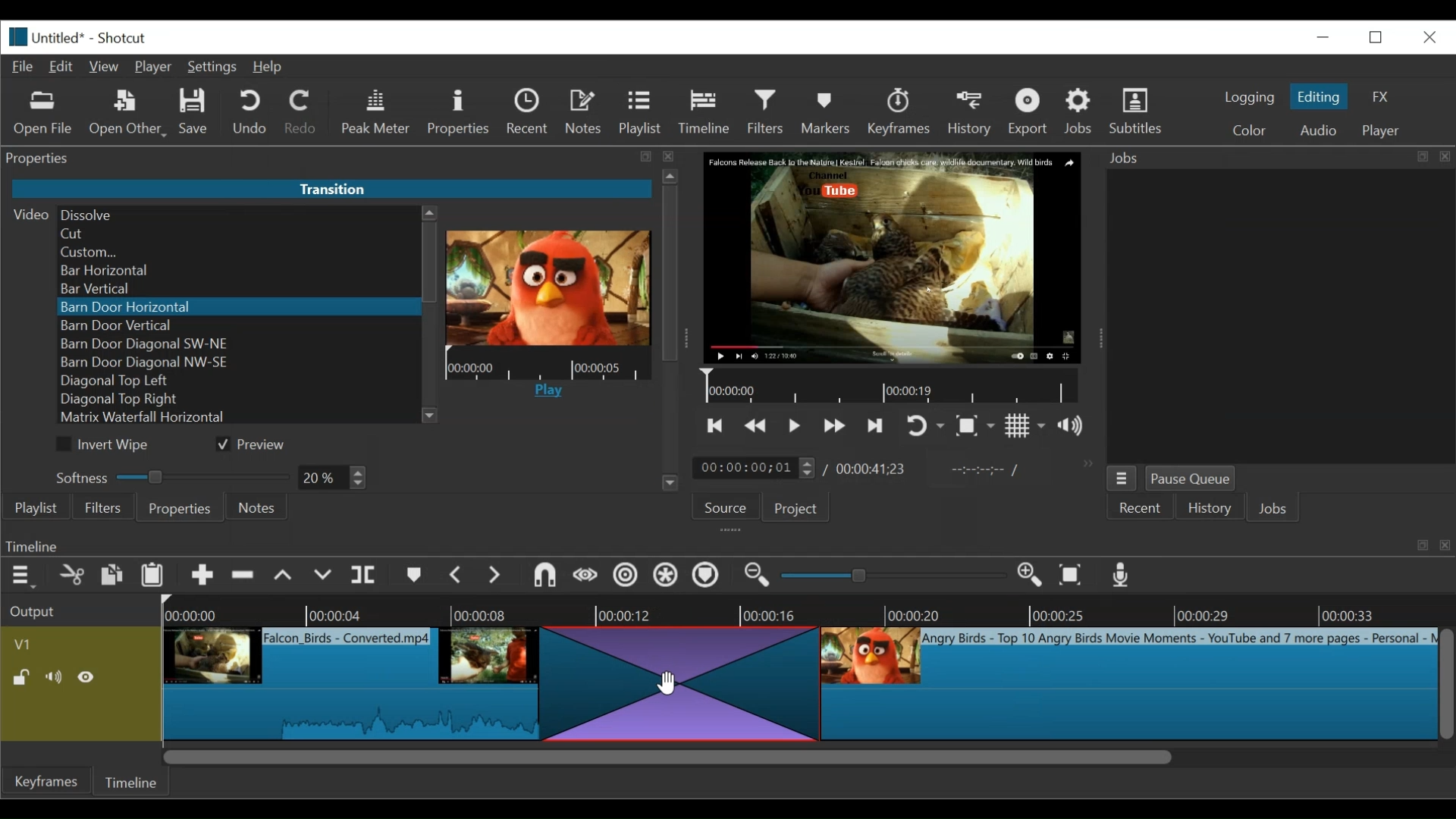  What do you see at coordinates (758, 425) in the screenshot?
I see `Play quickly backward` at bounding box center [758, 425].